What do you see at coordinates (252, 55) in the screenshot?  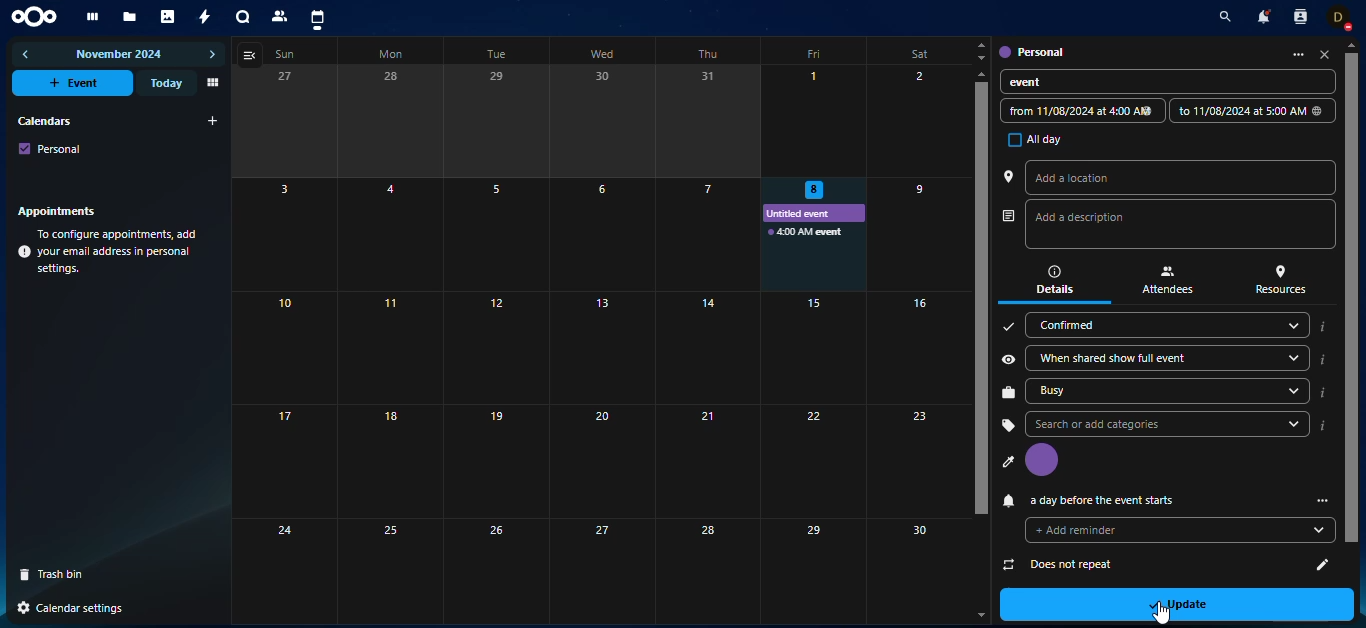 I see `view` at bounding box center [252, 55].